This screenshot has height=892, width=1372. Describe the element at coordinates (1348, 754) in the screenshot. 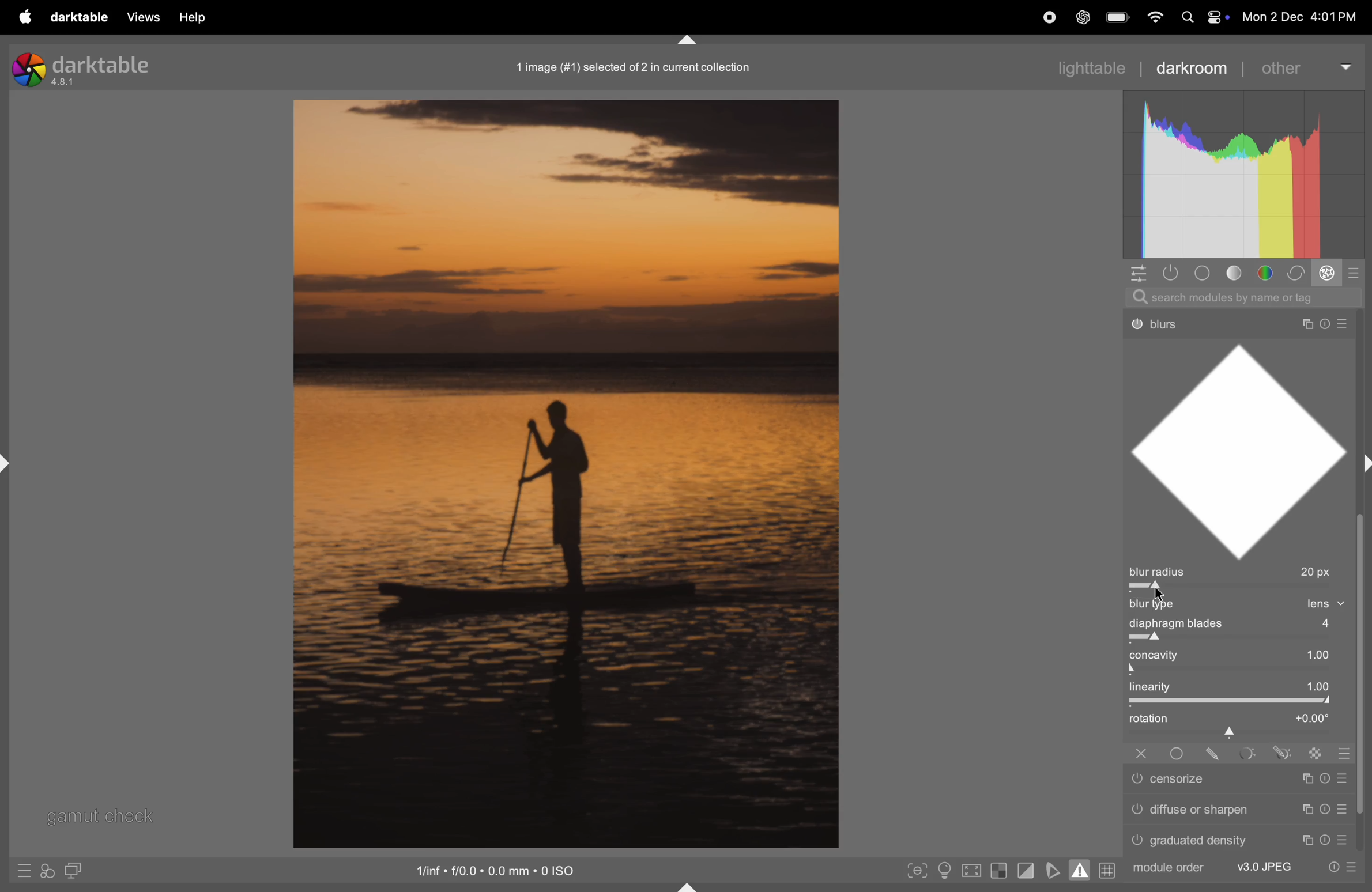

I see `` at that location.